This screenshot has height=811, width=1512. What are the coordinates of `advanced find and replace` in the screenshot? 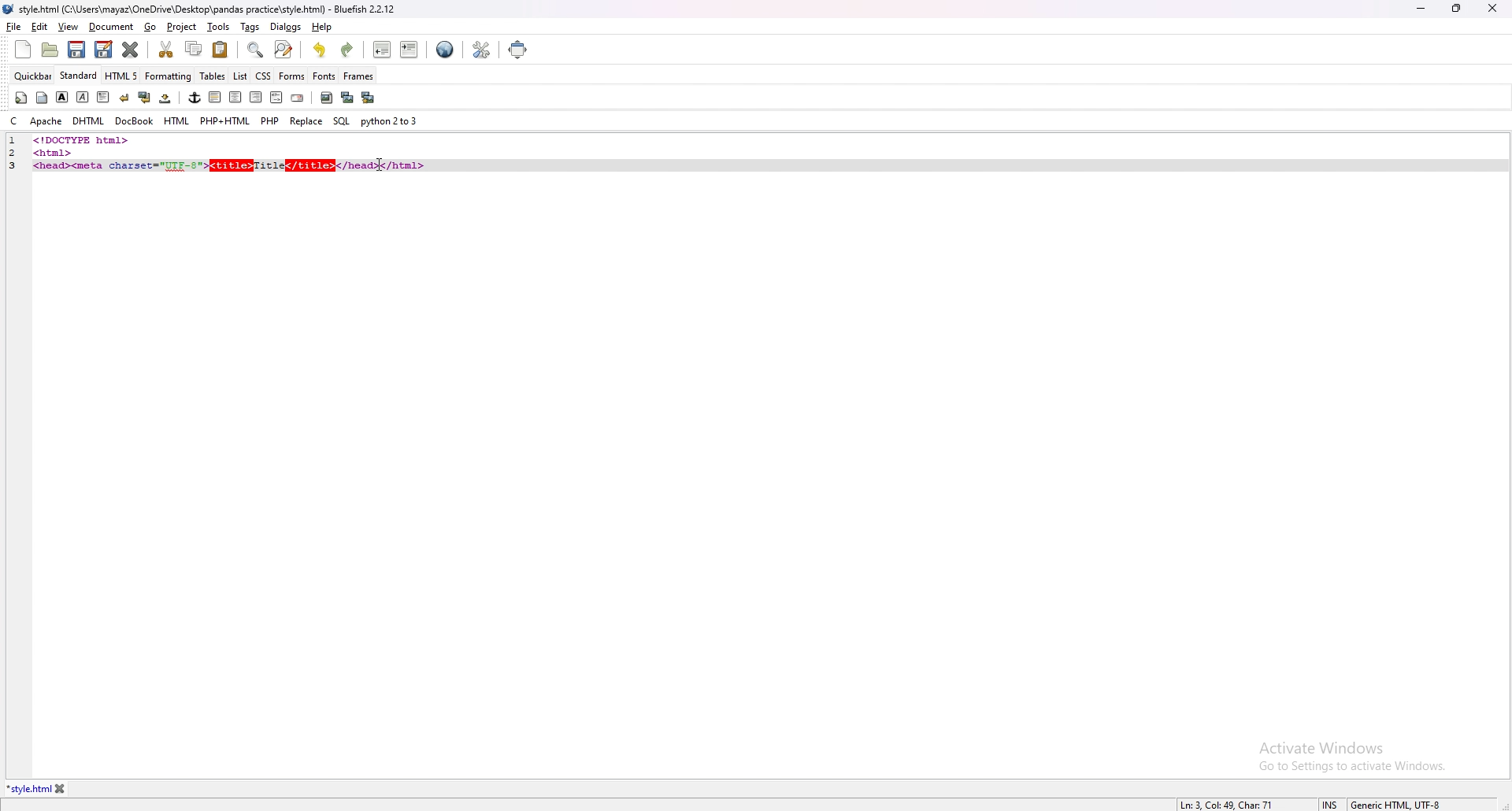 It's located at (283, 49).